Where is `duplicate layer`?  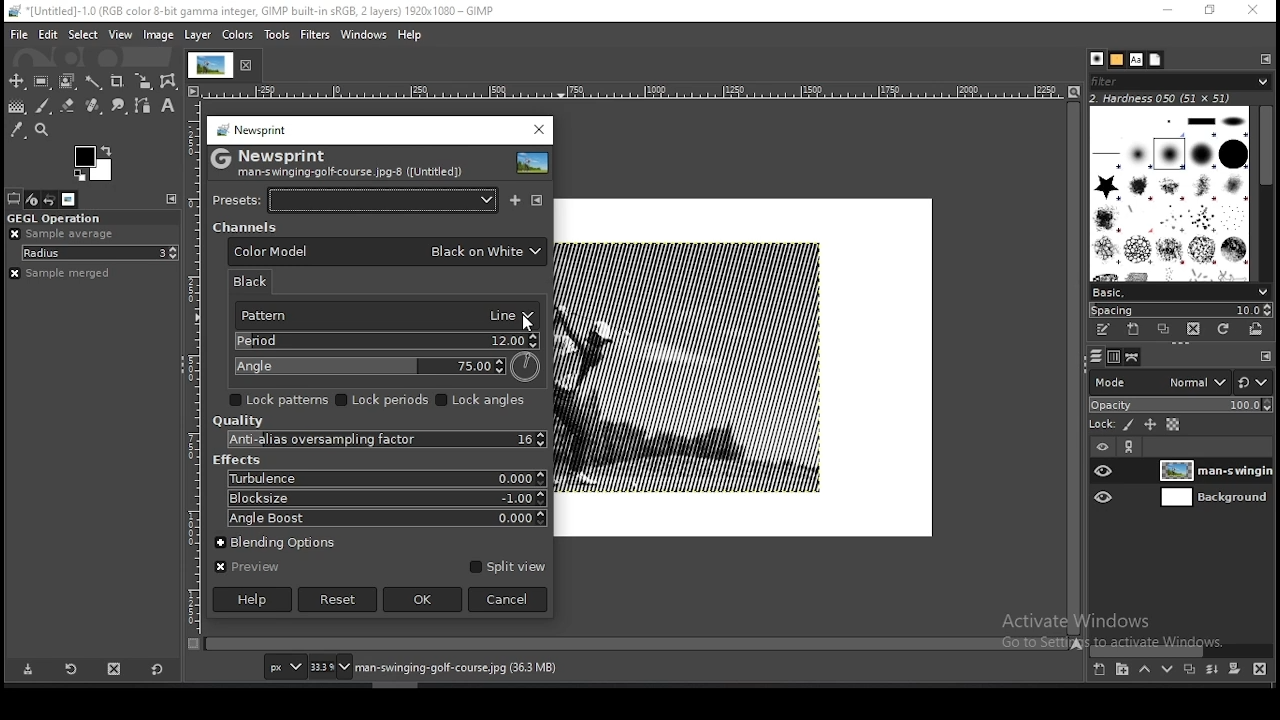
duplicate layer is located at coordinates (1190, 668).